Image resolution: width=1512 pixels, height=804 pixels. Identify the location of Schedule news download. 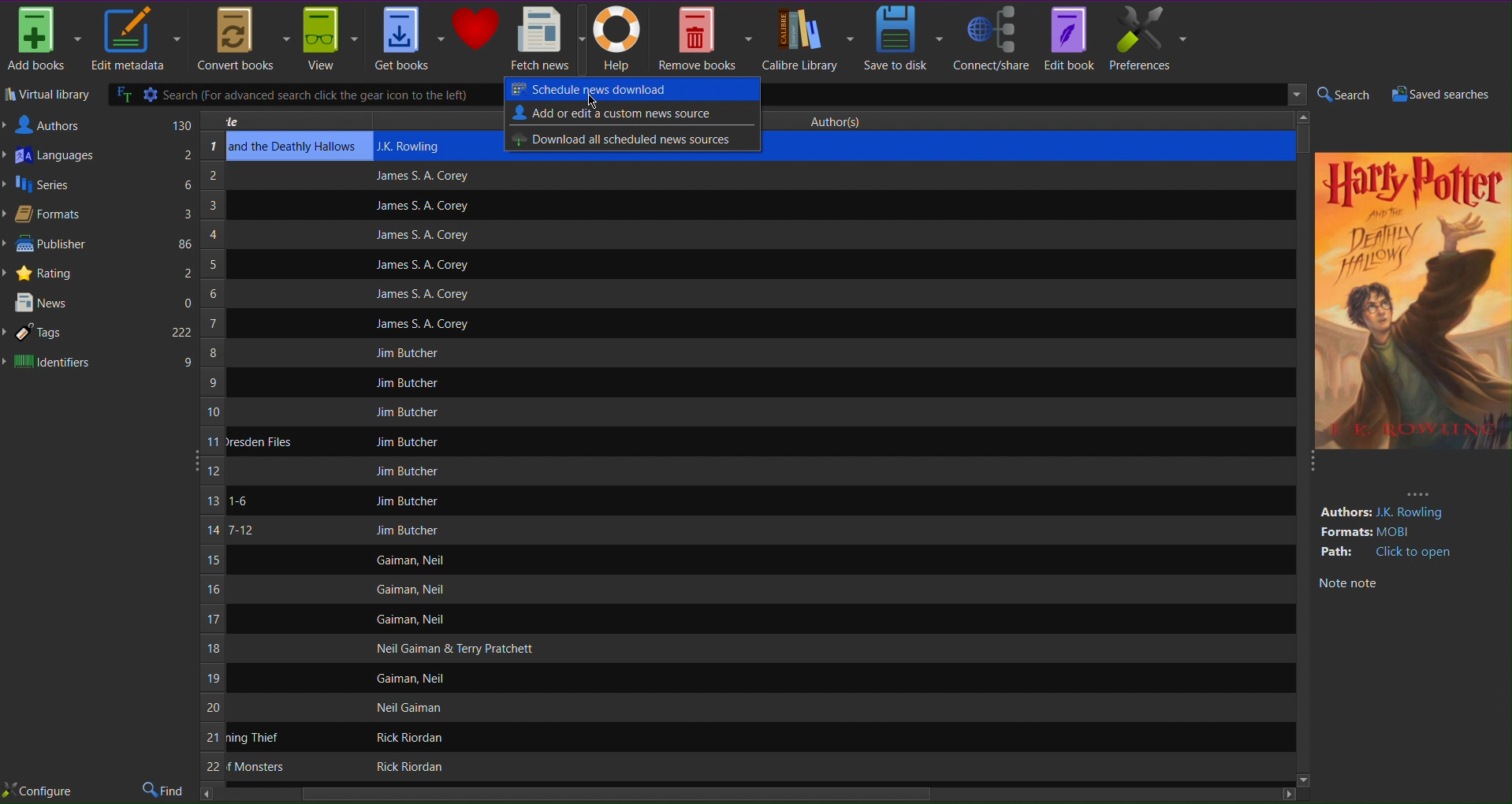
(628, 88).